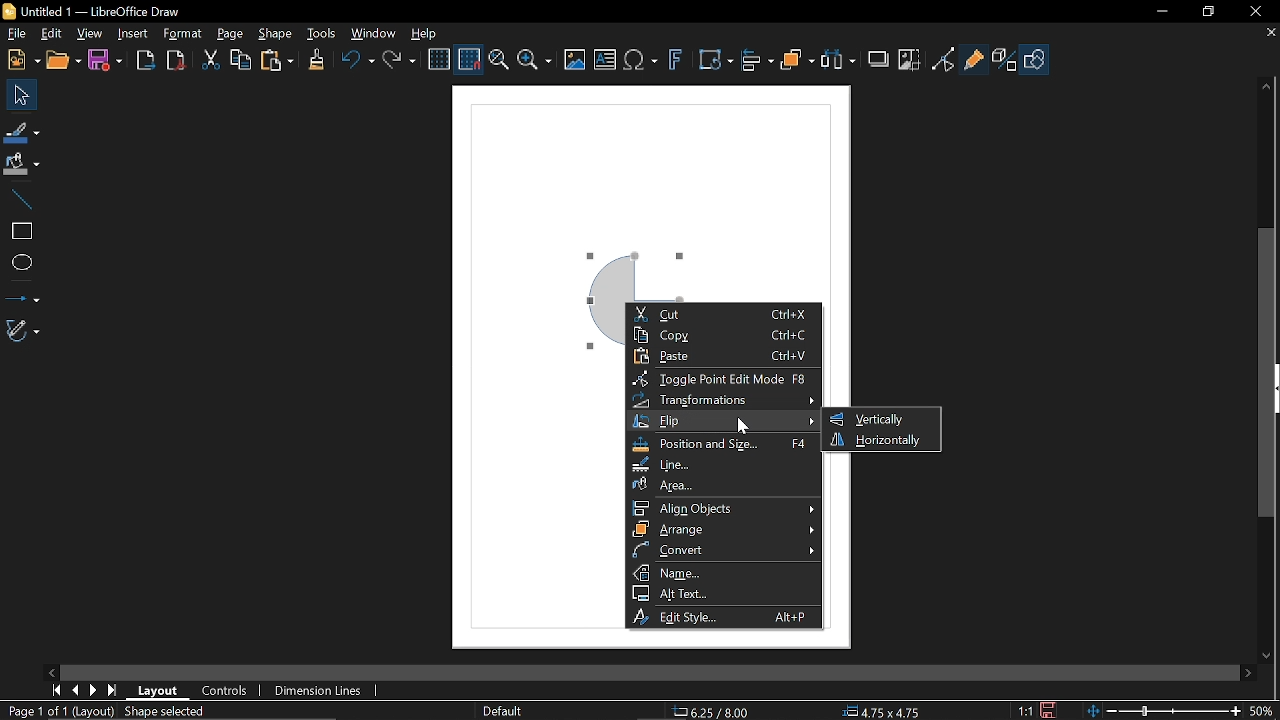  I want to click on Cut   Ctrl+X, so click(722, 314).